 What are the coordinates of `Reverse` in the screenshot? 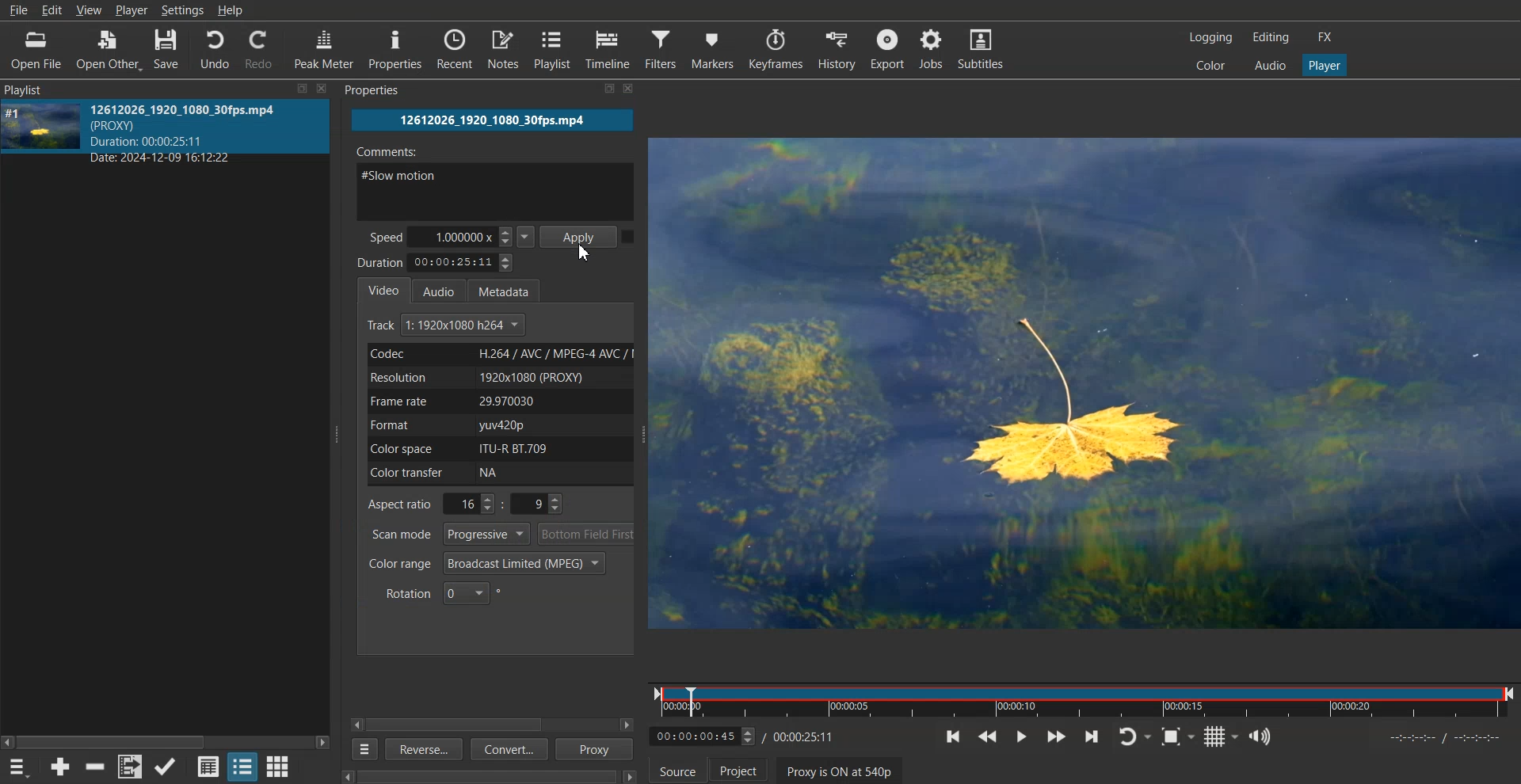 It's located at (421, 748).